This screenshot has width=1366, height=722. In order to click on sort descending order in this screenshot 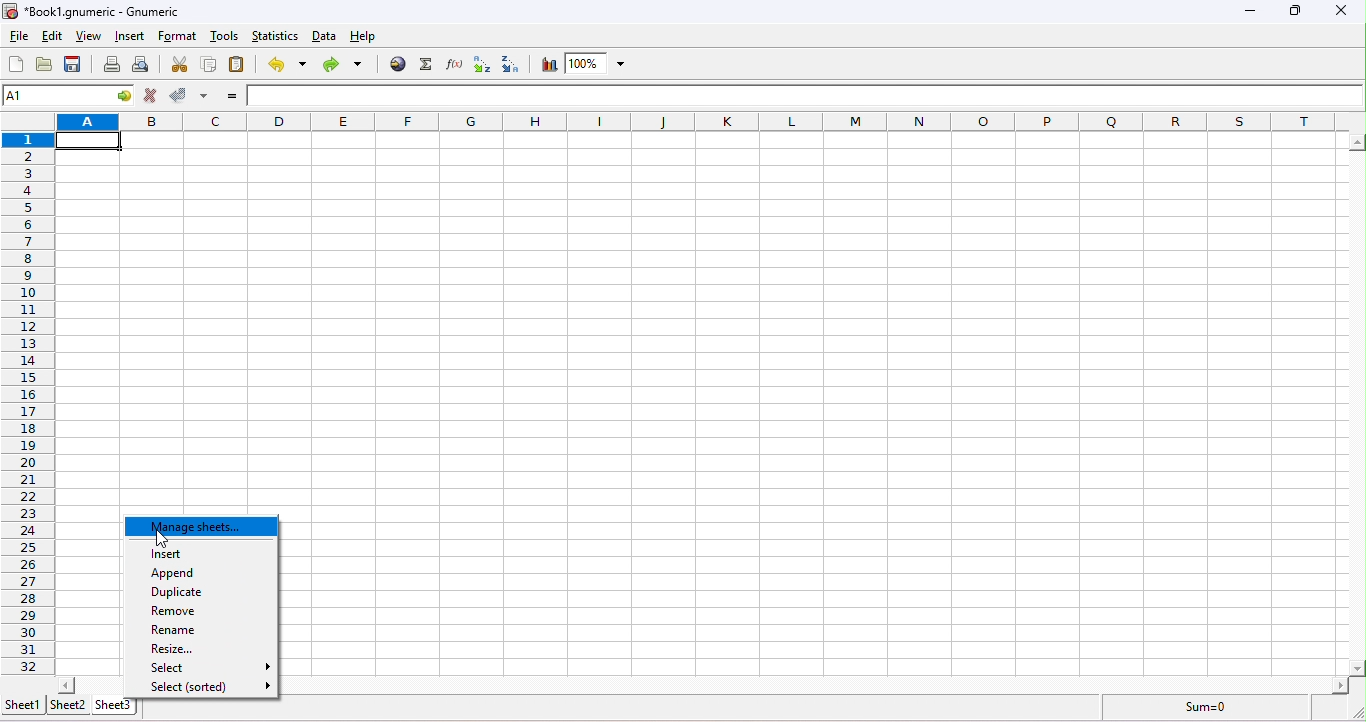, I will do `click(513, 63)`.